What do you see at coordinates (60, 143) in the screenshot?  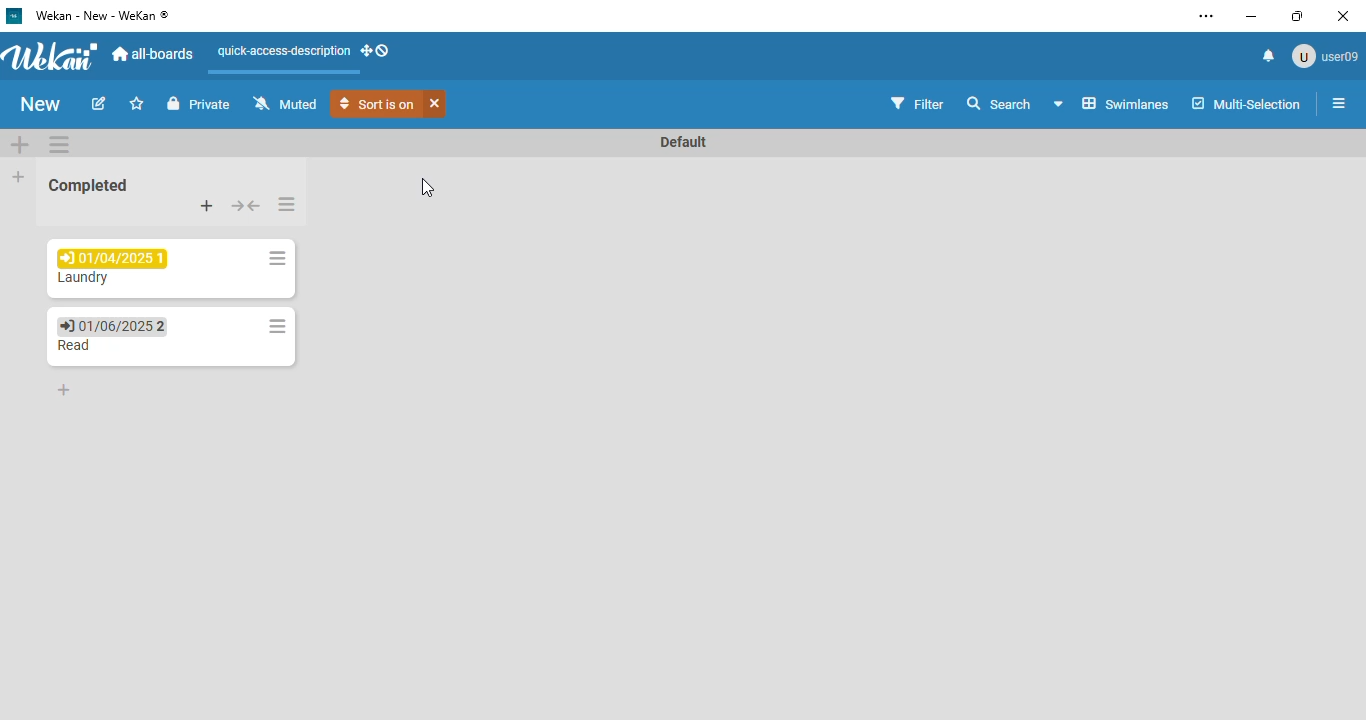 I see `swimlane actions` at bounding box center [60, 143].